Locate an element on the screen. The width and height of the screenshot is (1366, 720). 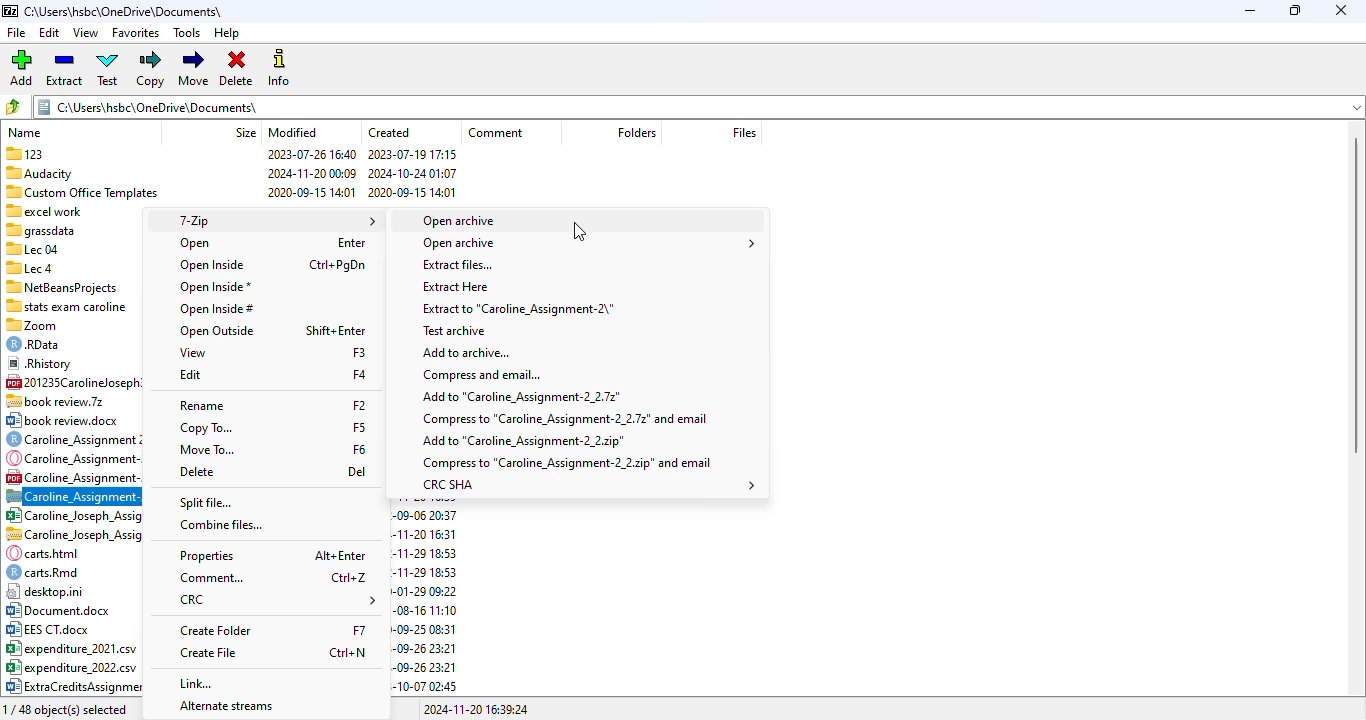
open archive is located at coordinates (459, 221).